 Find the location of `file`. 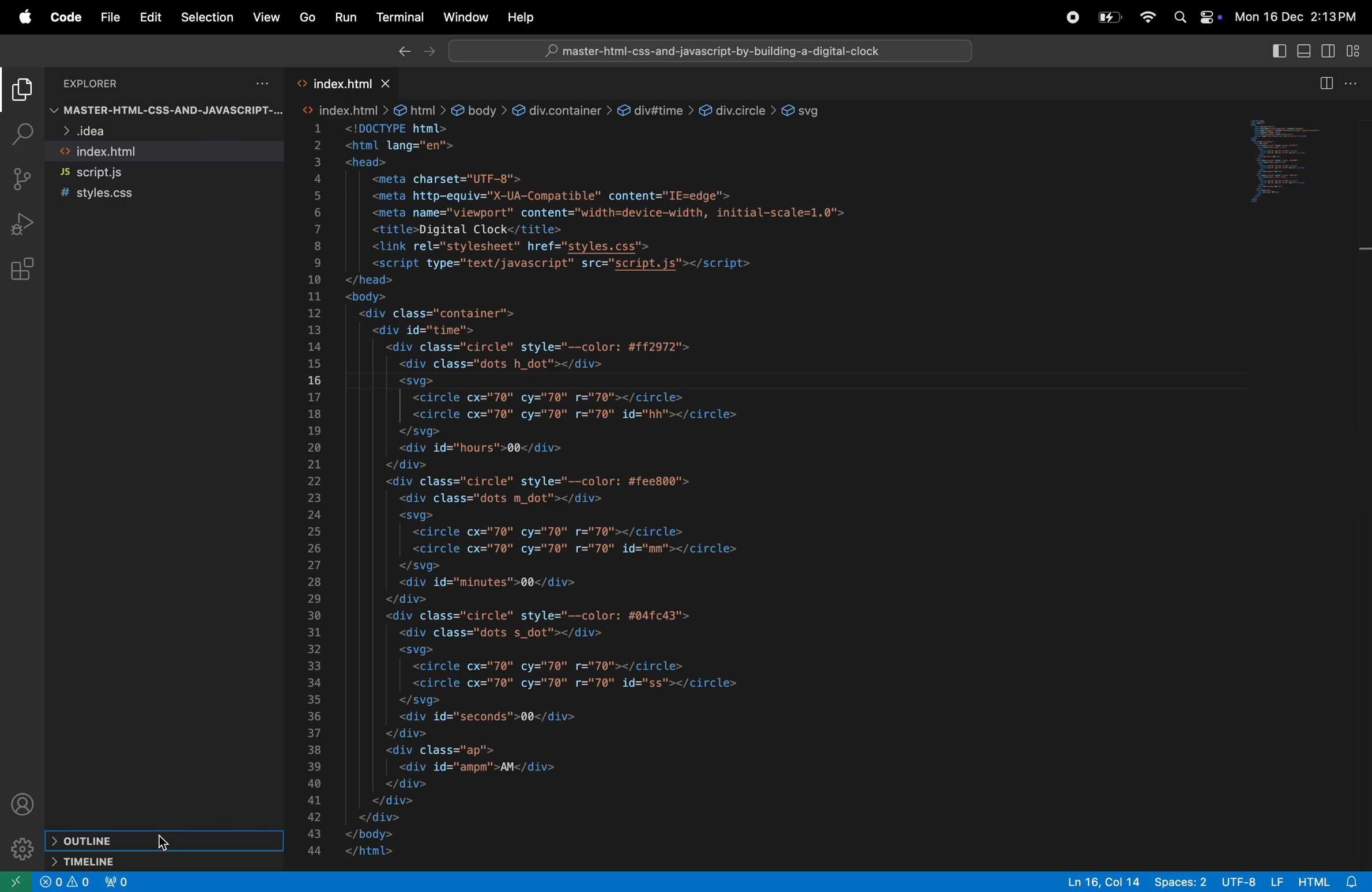

file is located at coordinates (108, 20).